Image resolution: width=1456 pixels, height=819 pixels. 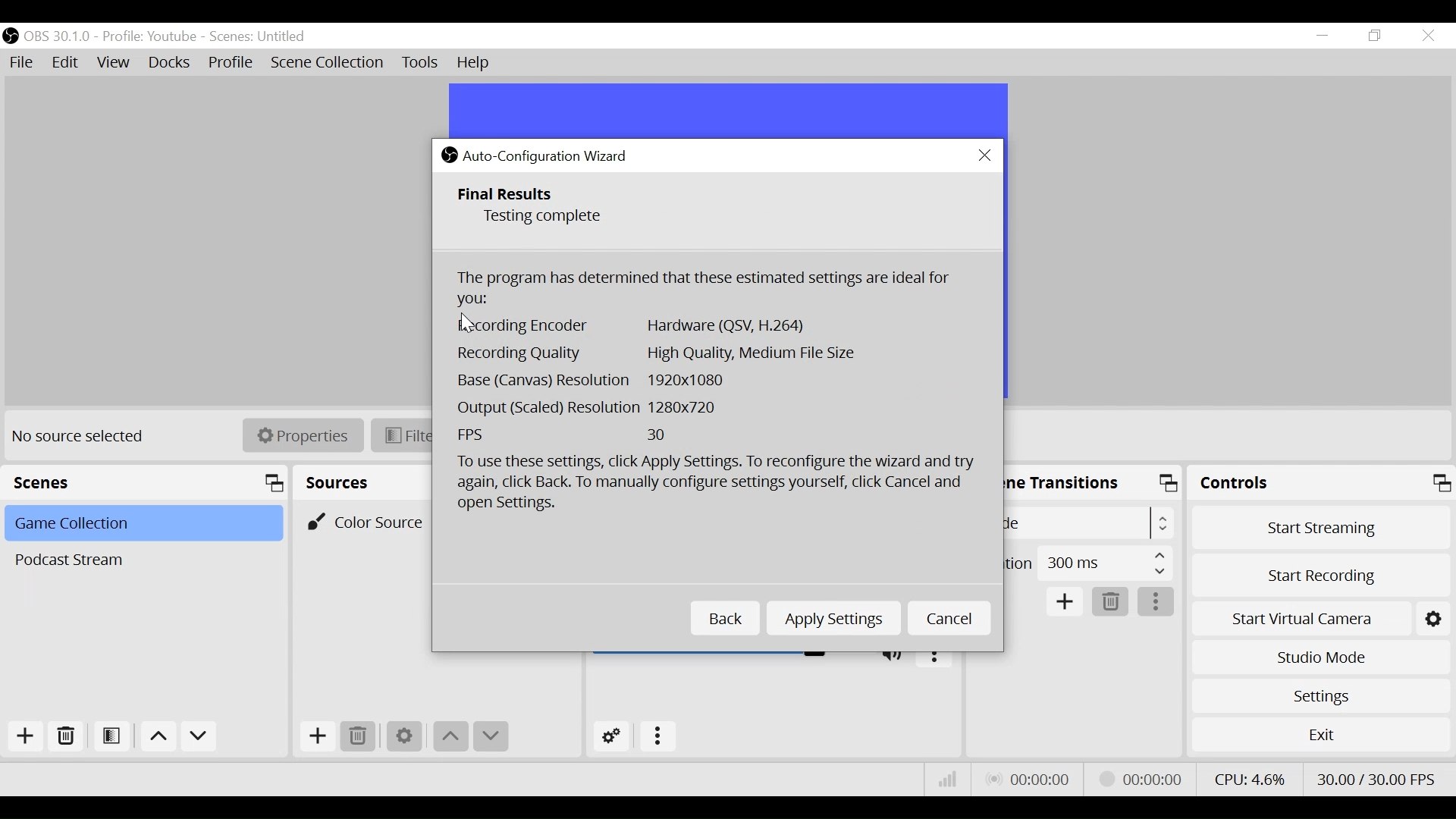 I want to click on Start Virtual Camera, so click(x=1300, y=617).